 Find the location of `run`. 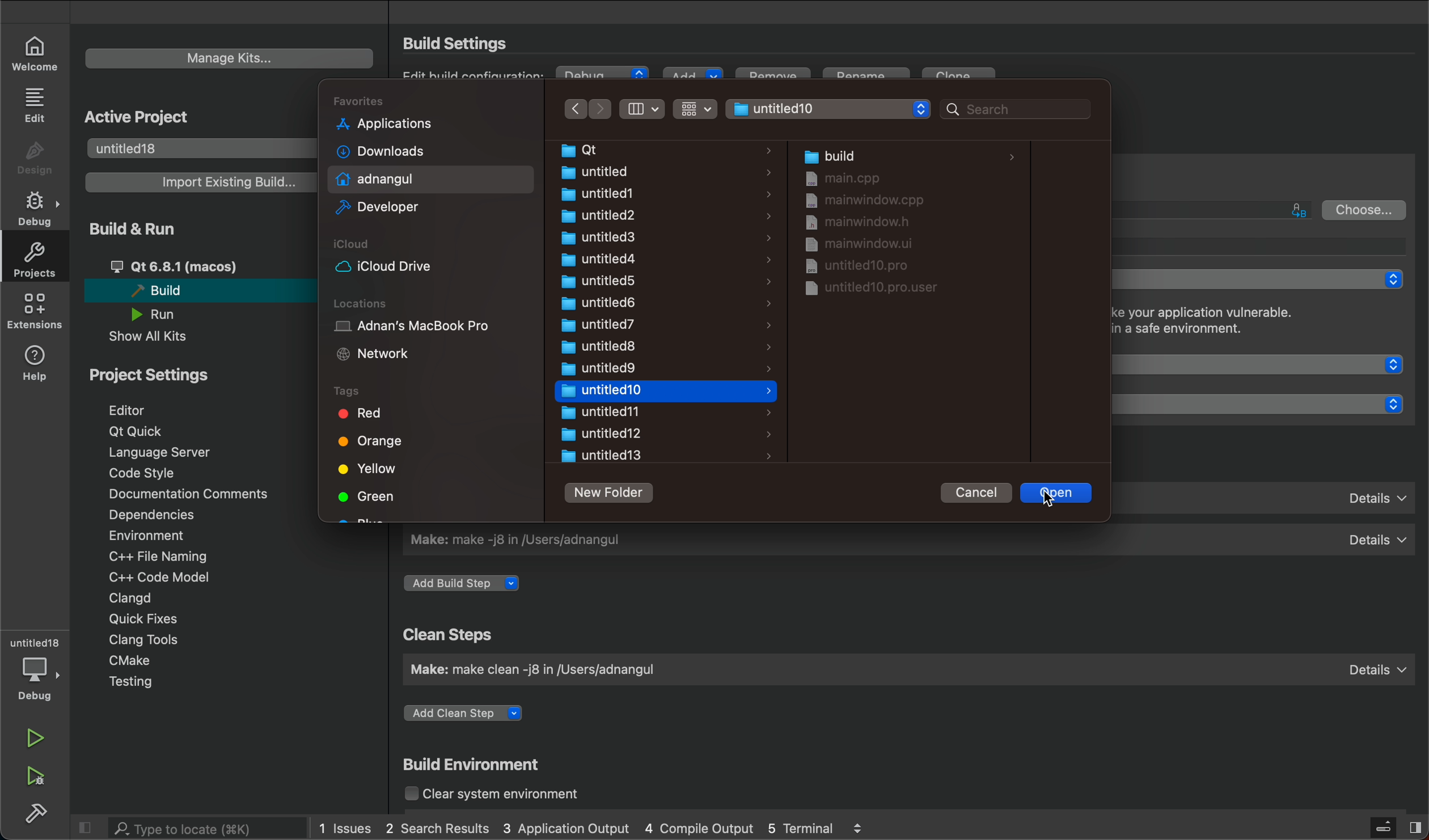

run is located at coordinates (164, 315).